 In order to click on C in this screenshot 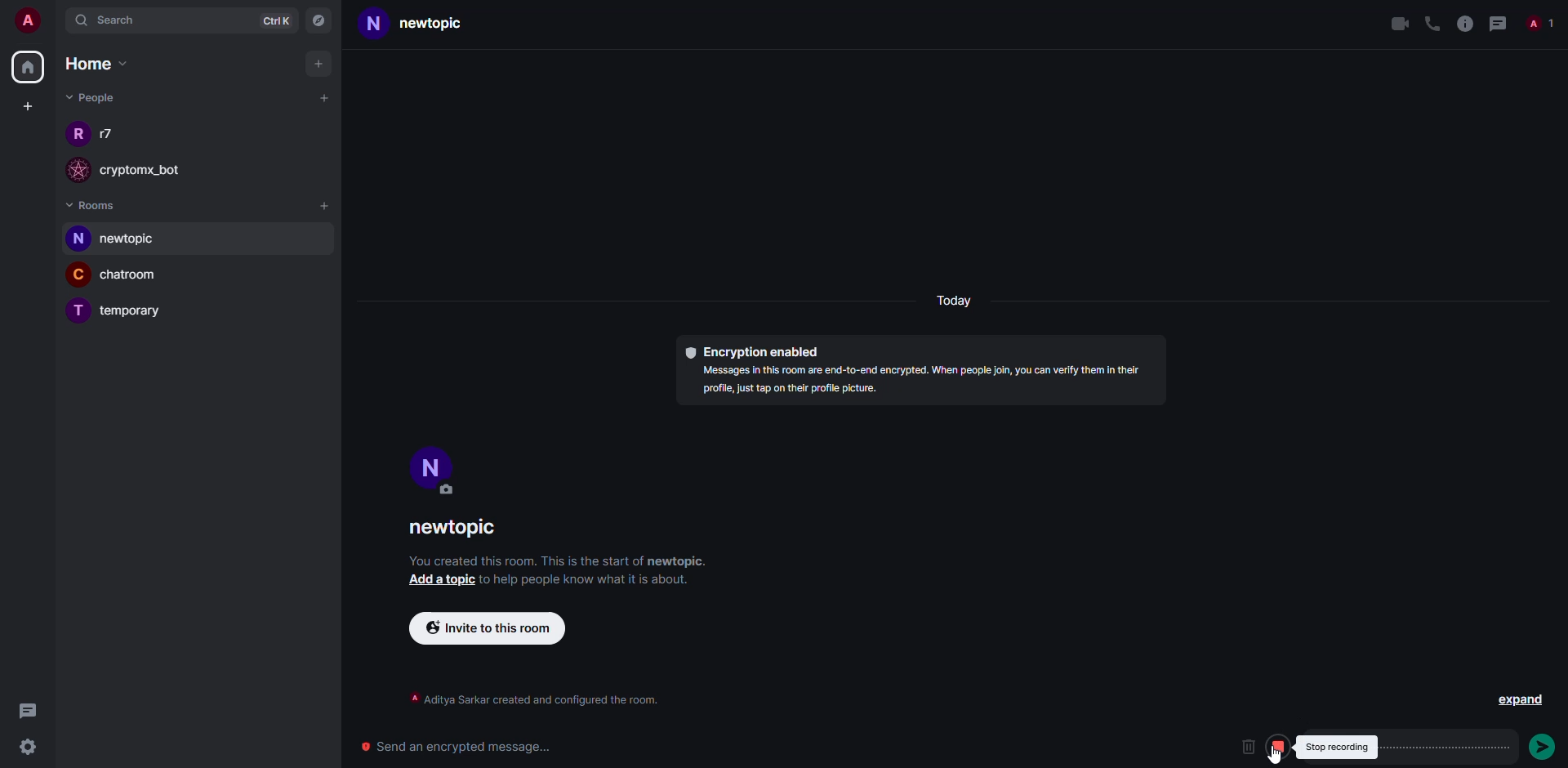, I will do `click(78, 276)`.